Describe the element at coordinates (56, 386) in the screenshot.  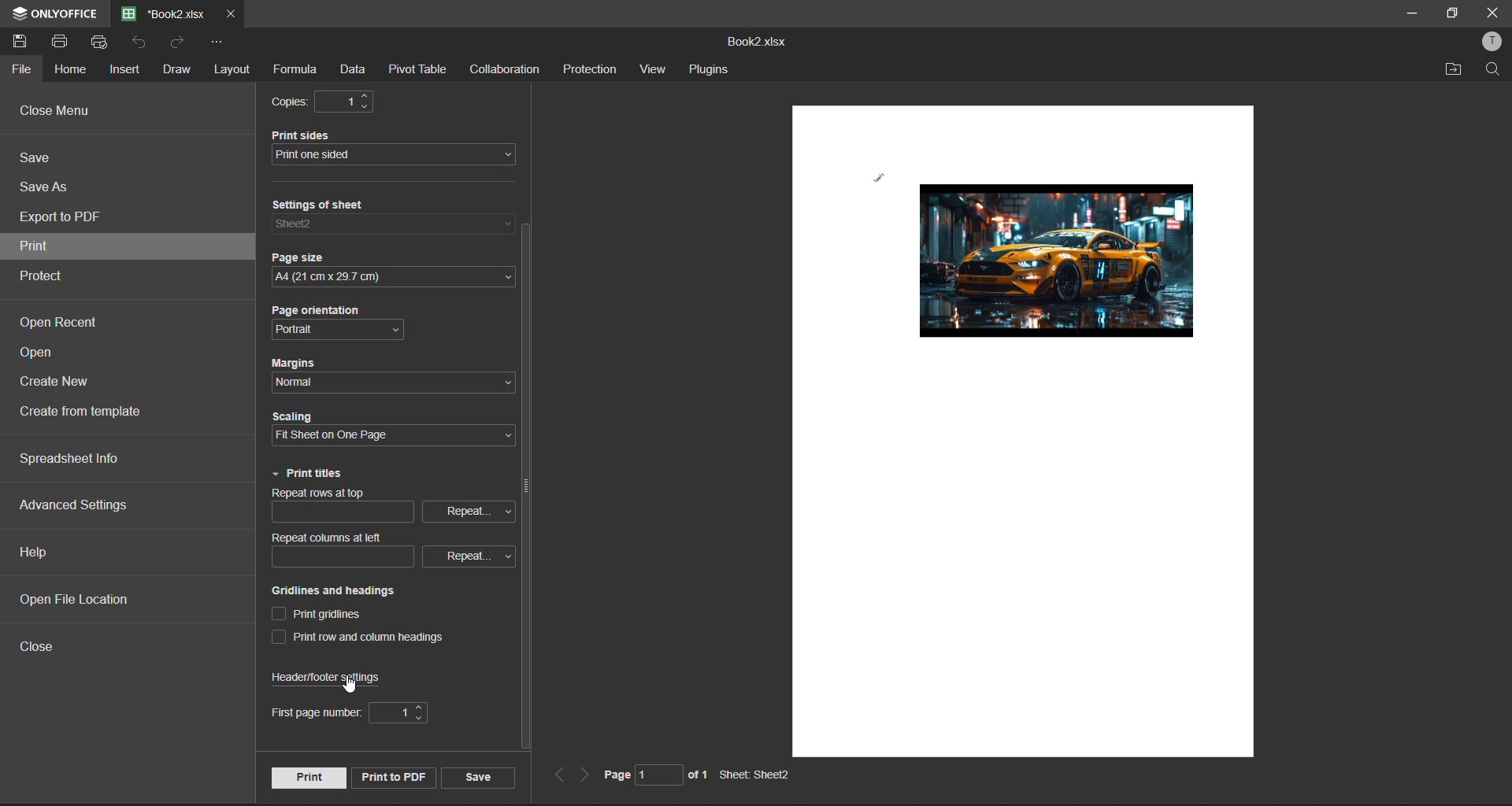
I see `create new` at that location.